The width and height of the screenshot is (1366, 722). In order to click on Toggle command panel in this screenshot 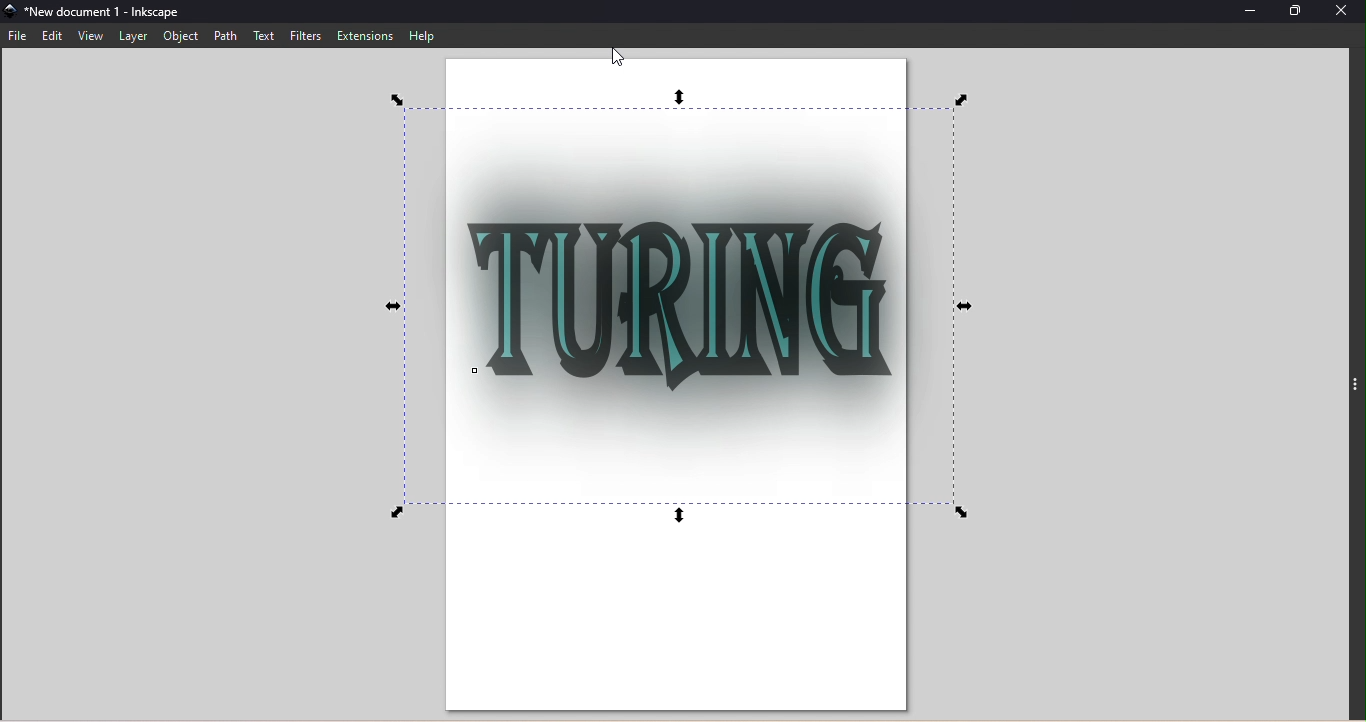, I will do `click(1355, 390)`.